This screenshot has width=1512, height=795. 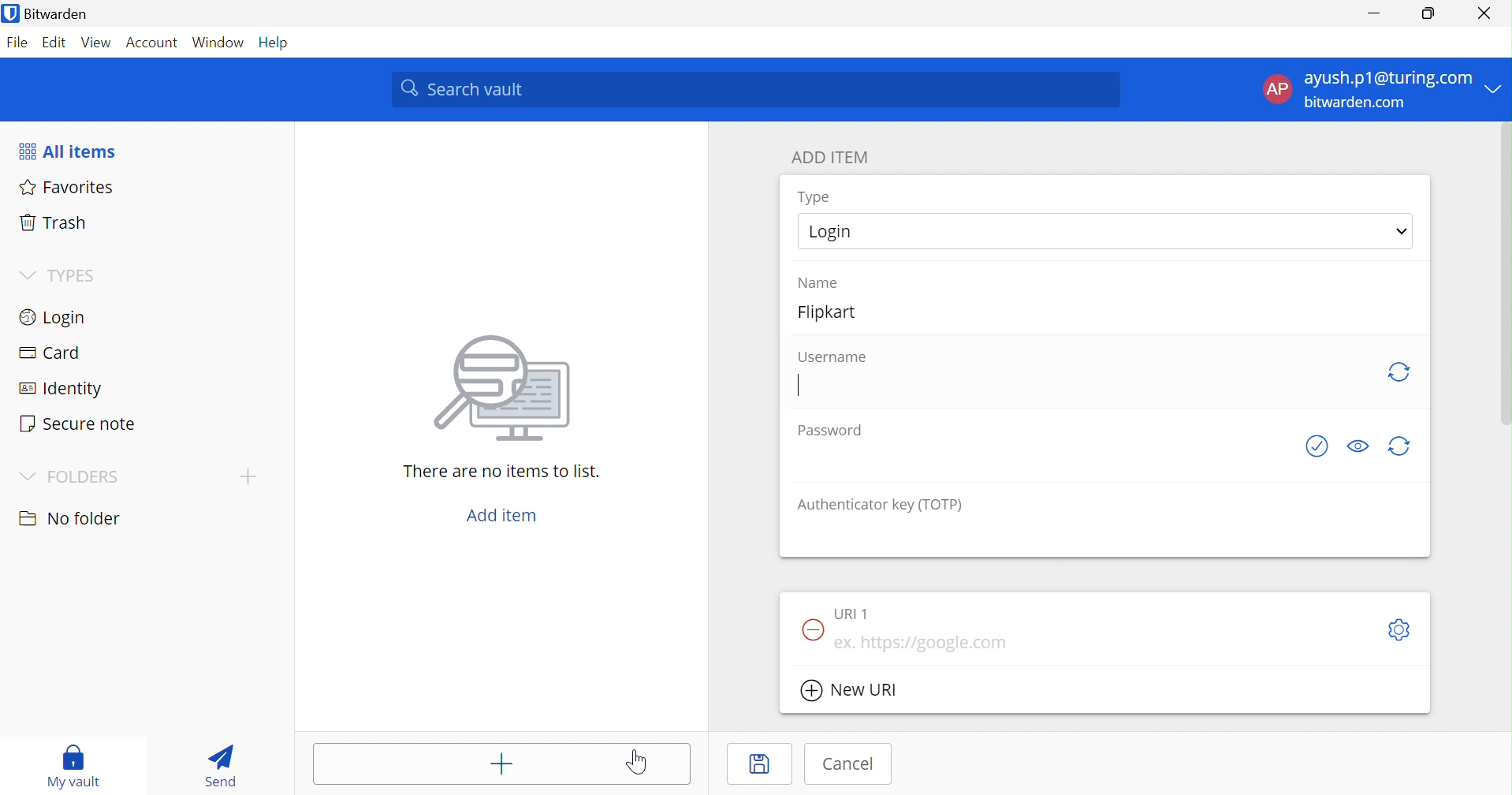 What do you see at coordinates (75, 275) in the screenshot?
I see `TYPES` at bounding box center [75, 275].